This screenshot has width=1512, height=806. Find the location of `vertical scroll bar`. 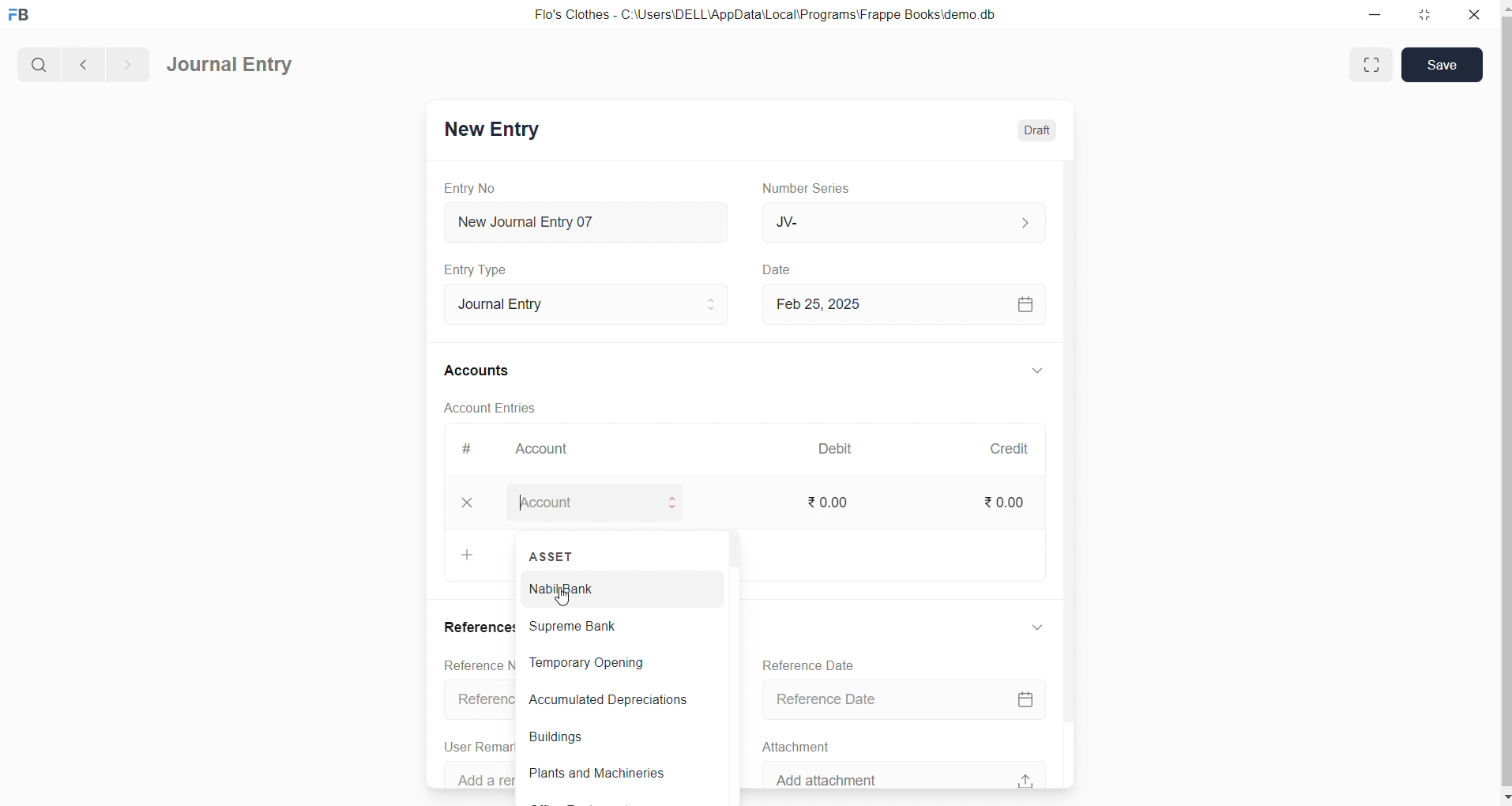

vertical scroll bar is located at coordinates (732, 665).